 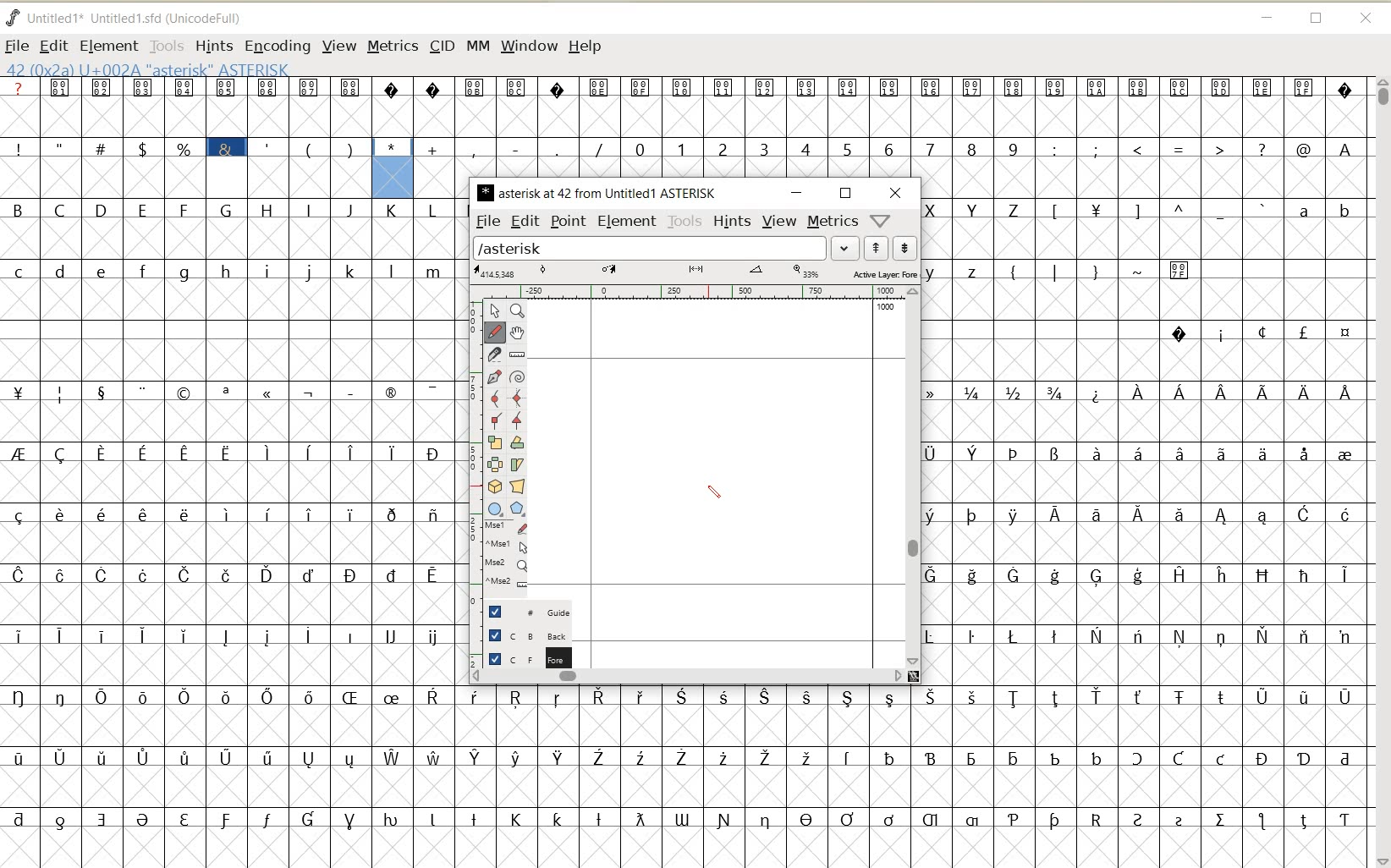 What do you see at coordinates (847, 193) in the screenshot?
I see `RESTORE` at bounding box center [847, 193].